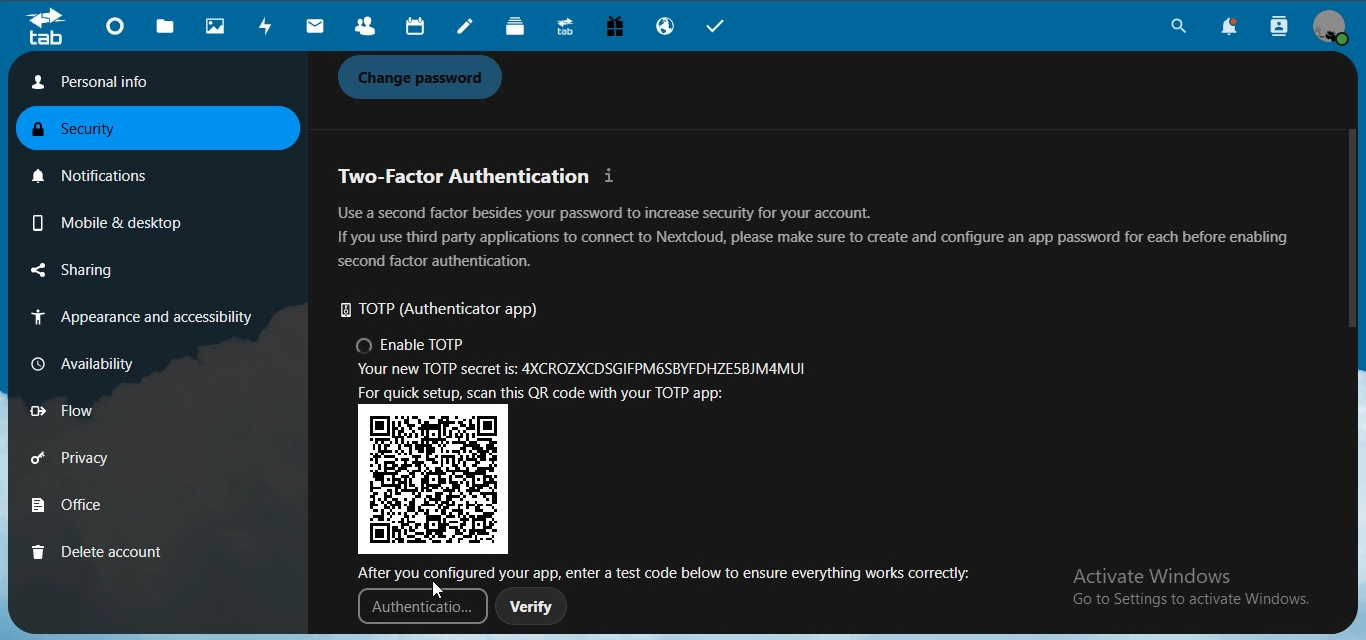  What do you see at coordinates (1194, 589) in the screenshot?
I see `Activate Windows
Go to Settings to activate Windows.` at bounding box center [1194, 589].